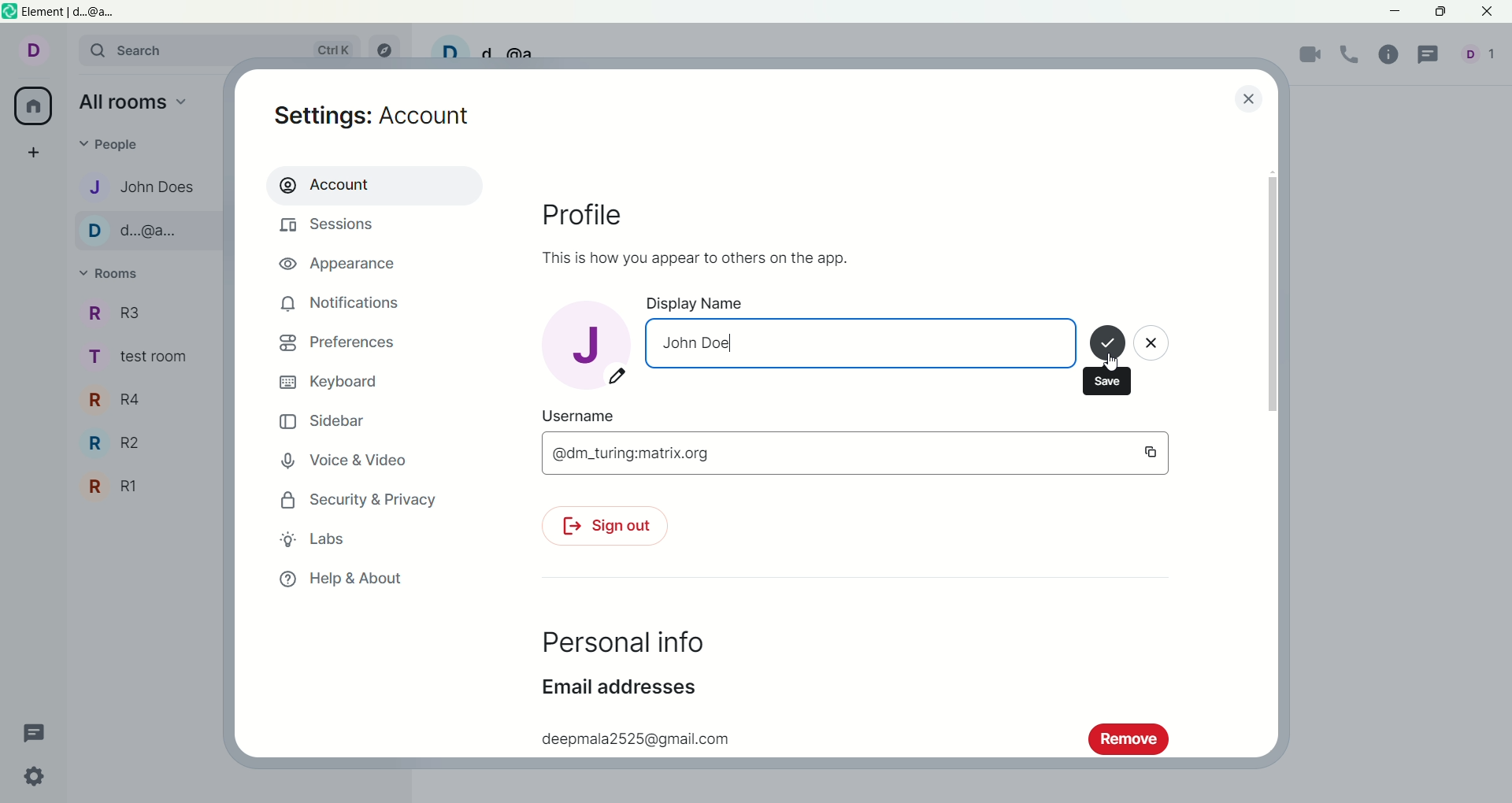 The width and height of the screenshot is (1512, 803). What do you see at coordinates (324, 424) in the screenshot?
I see `sidebar` at bounding box center [324, 424].